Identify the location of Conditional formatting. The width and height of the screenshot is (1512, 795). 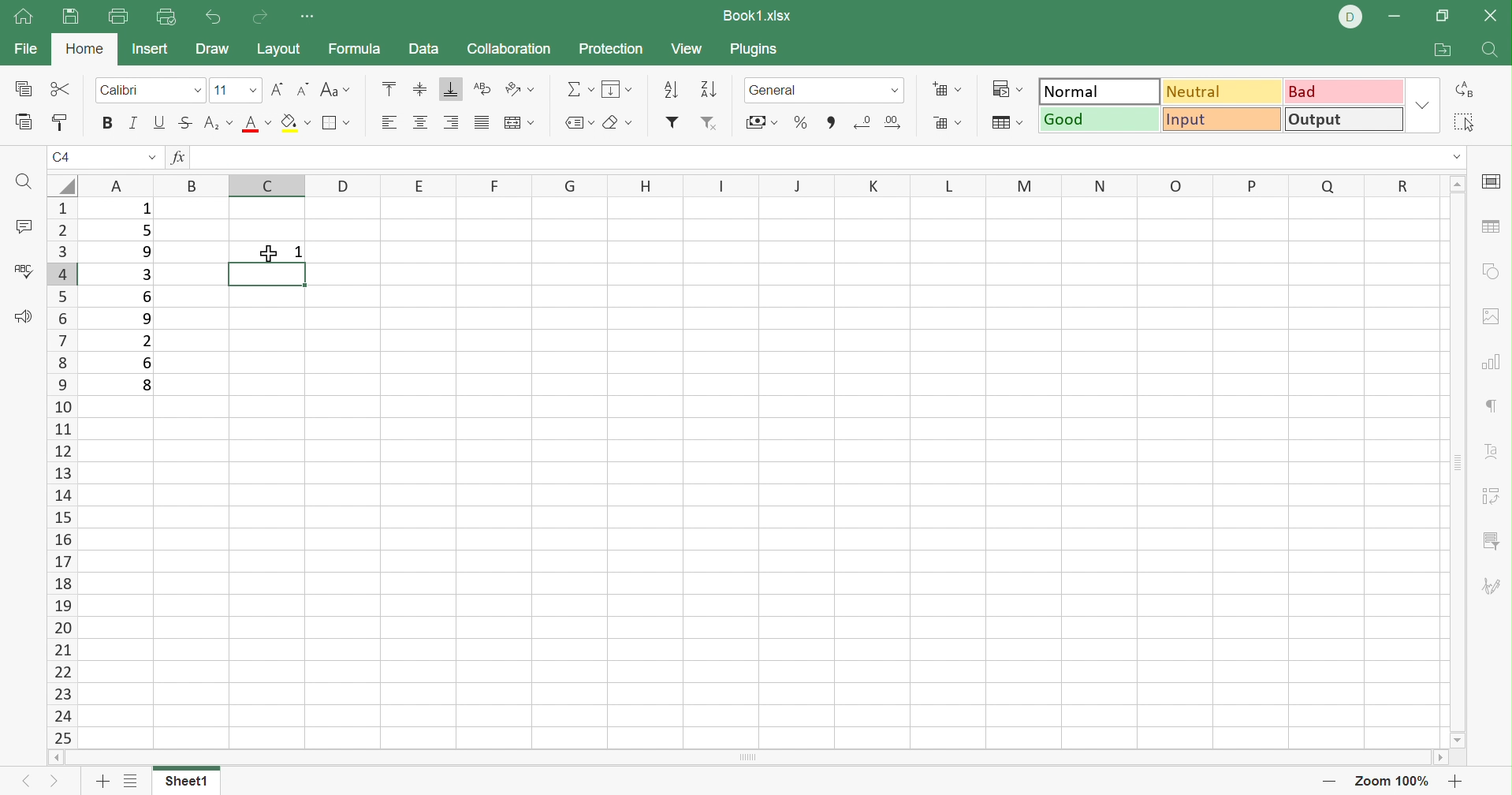
(1004, 89).